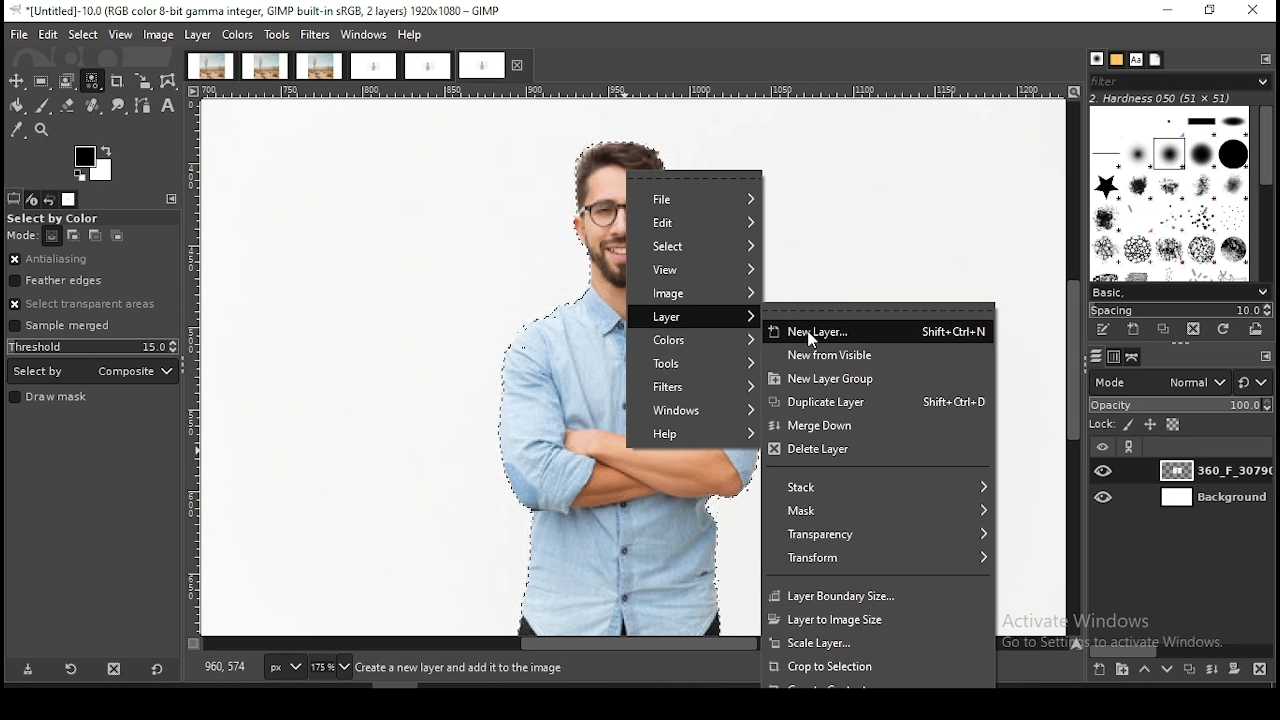 The width and height of the screenshot is (1280, 720). What do you see at coordinates (1180, 406) in the screenshot?
I see `opacity` at bounding box center [1180, 406].